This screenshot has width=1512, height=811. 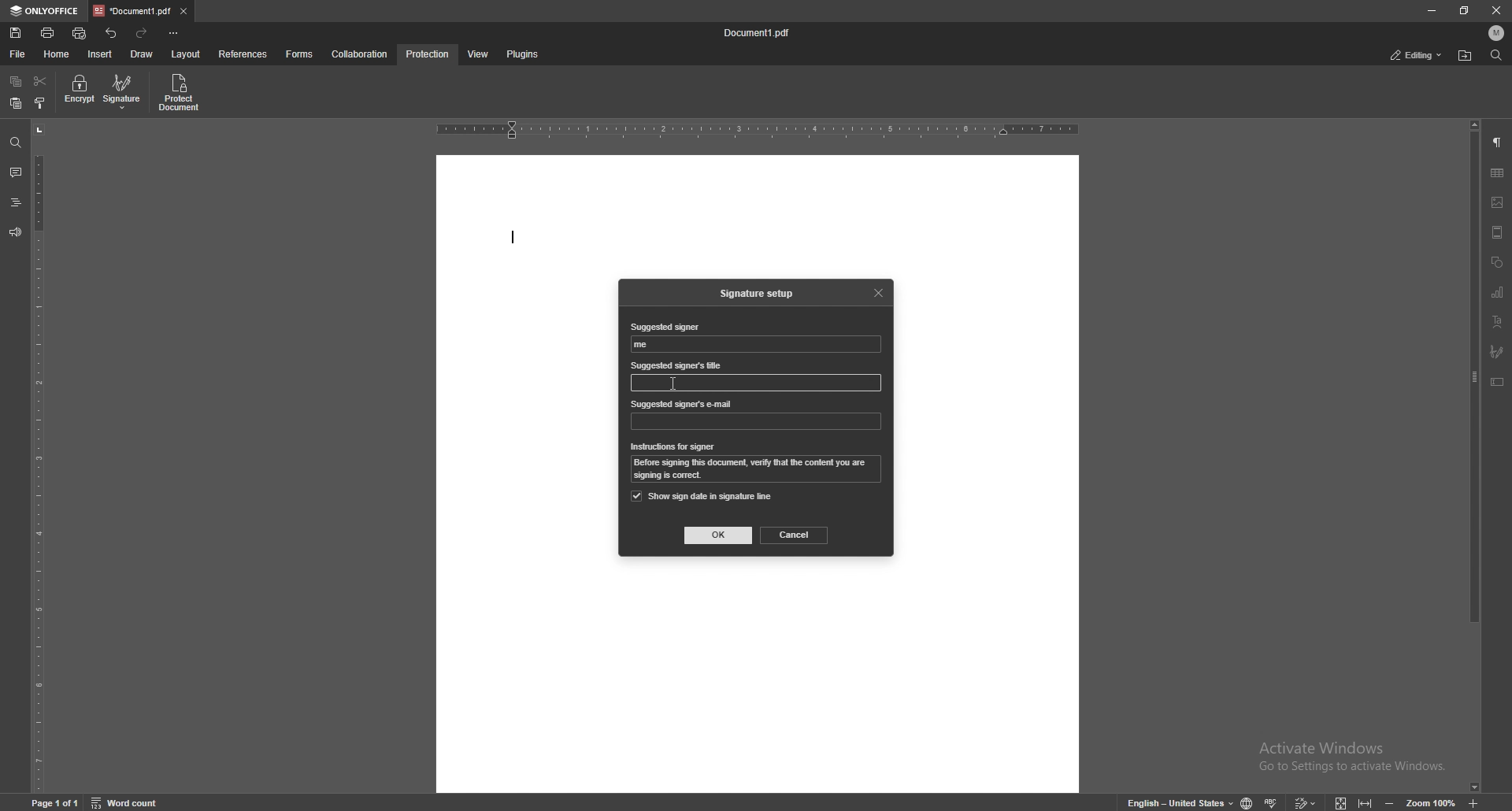 What do you see at coordinates (1417, 56) in the screenshot?
I see `status` at bounding box center [1417, 56].